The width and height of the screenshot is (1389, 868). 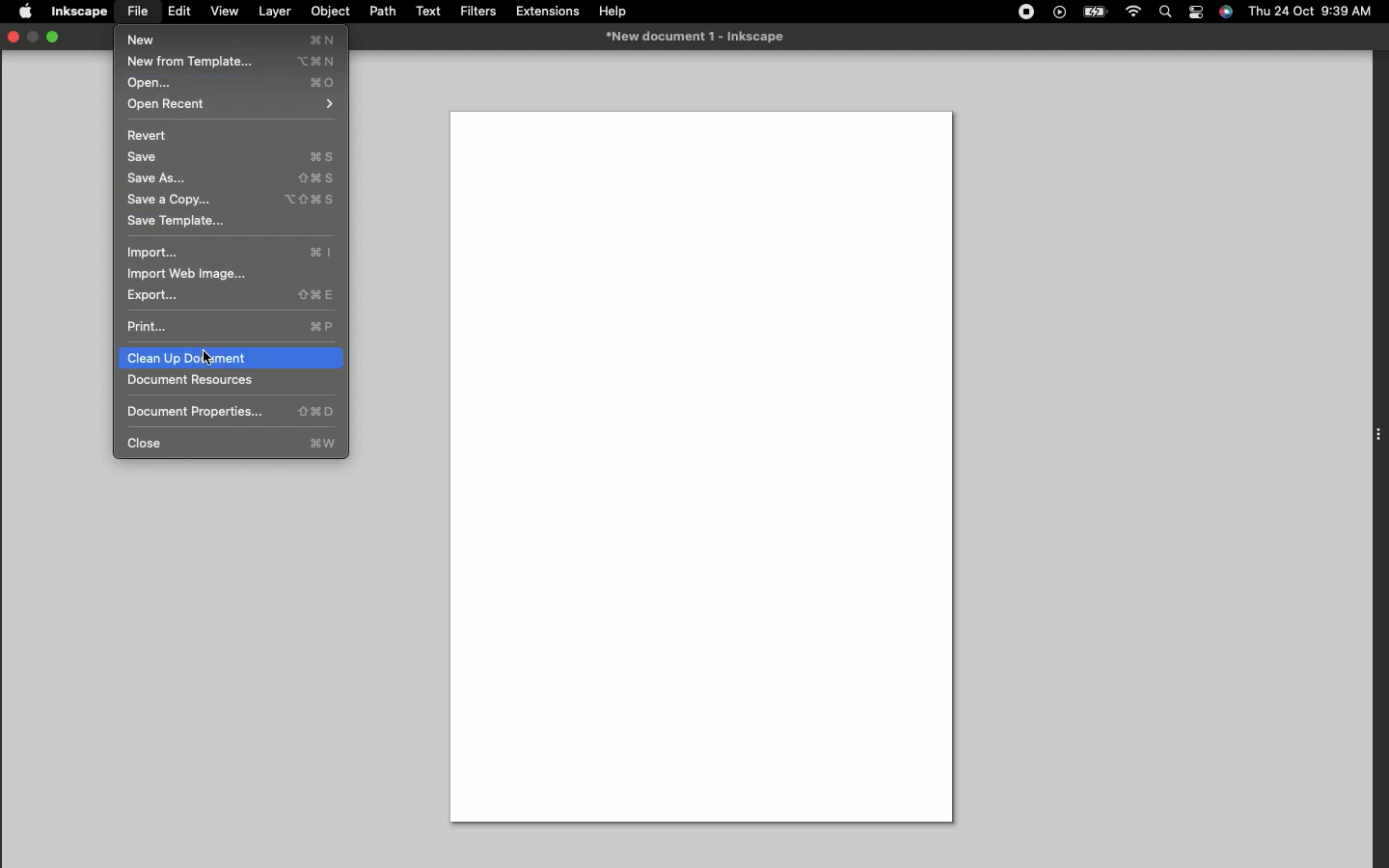 I want to click on Text, so click(x=426, y=12).